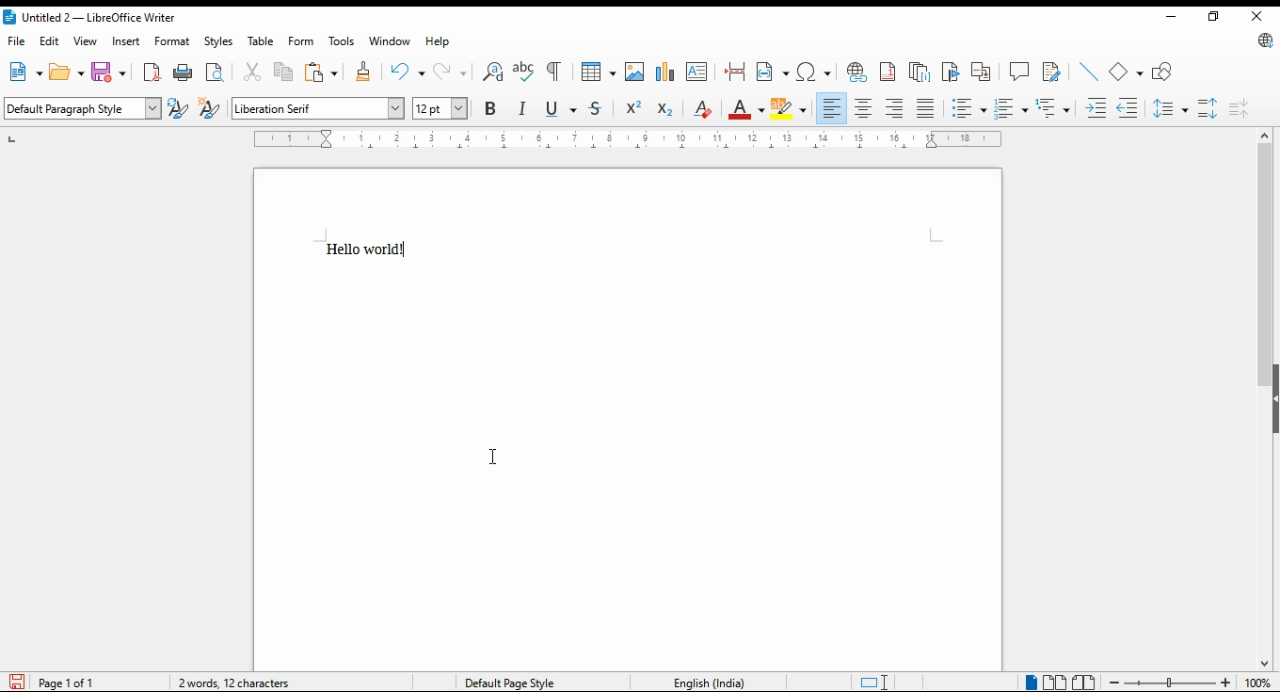  What do you see at coordinates (211, 109) in the screenshot?
I see `create new style from selection` at bounding box center [211, 109].